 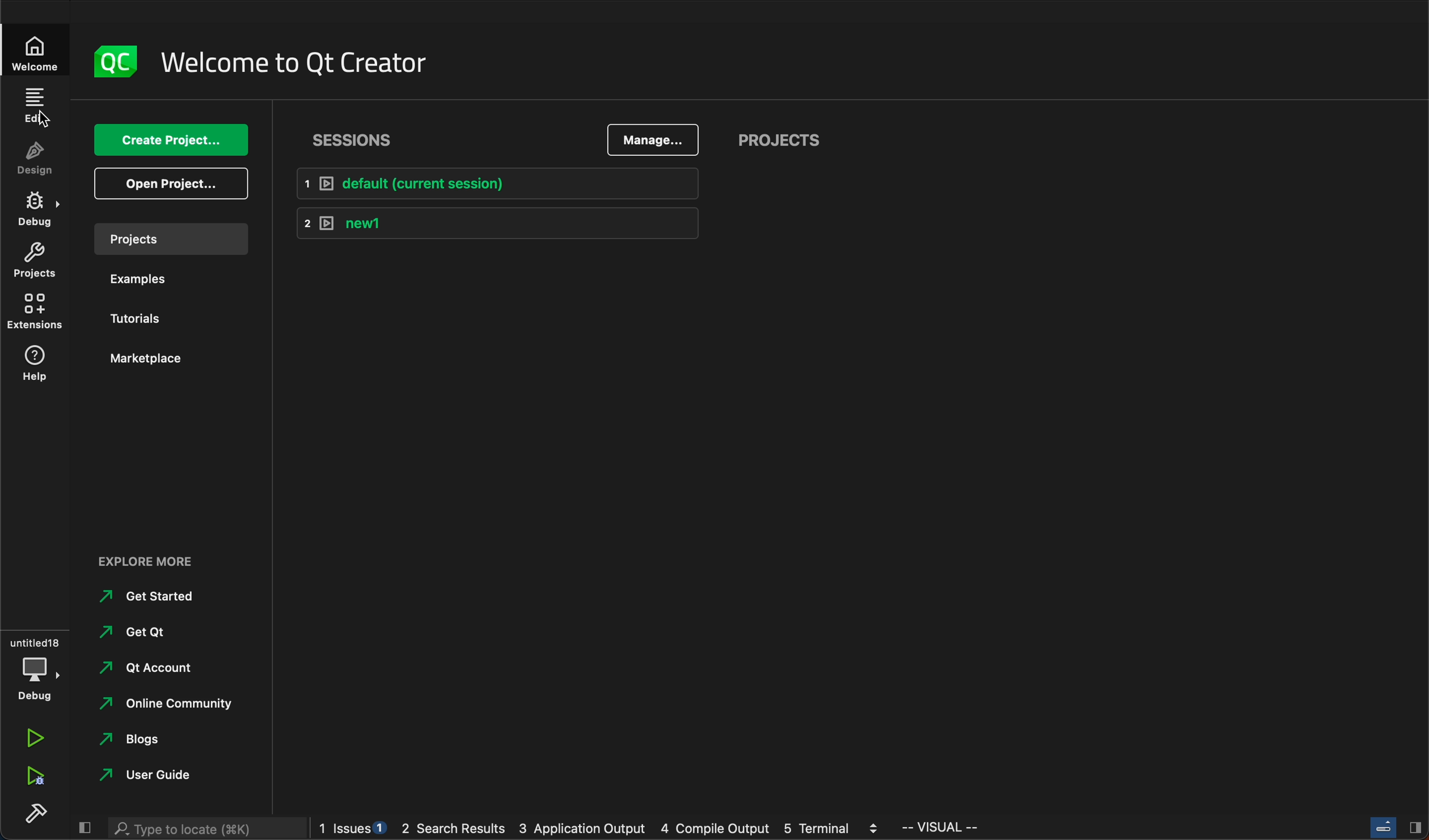 What do you see at coordinates (35, 776) in the screenshot?
I see `run debug` at bounding box center [35, 776].